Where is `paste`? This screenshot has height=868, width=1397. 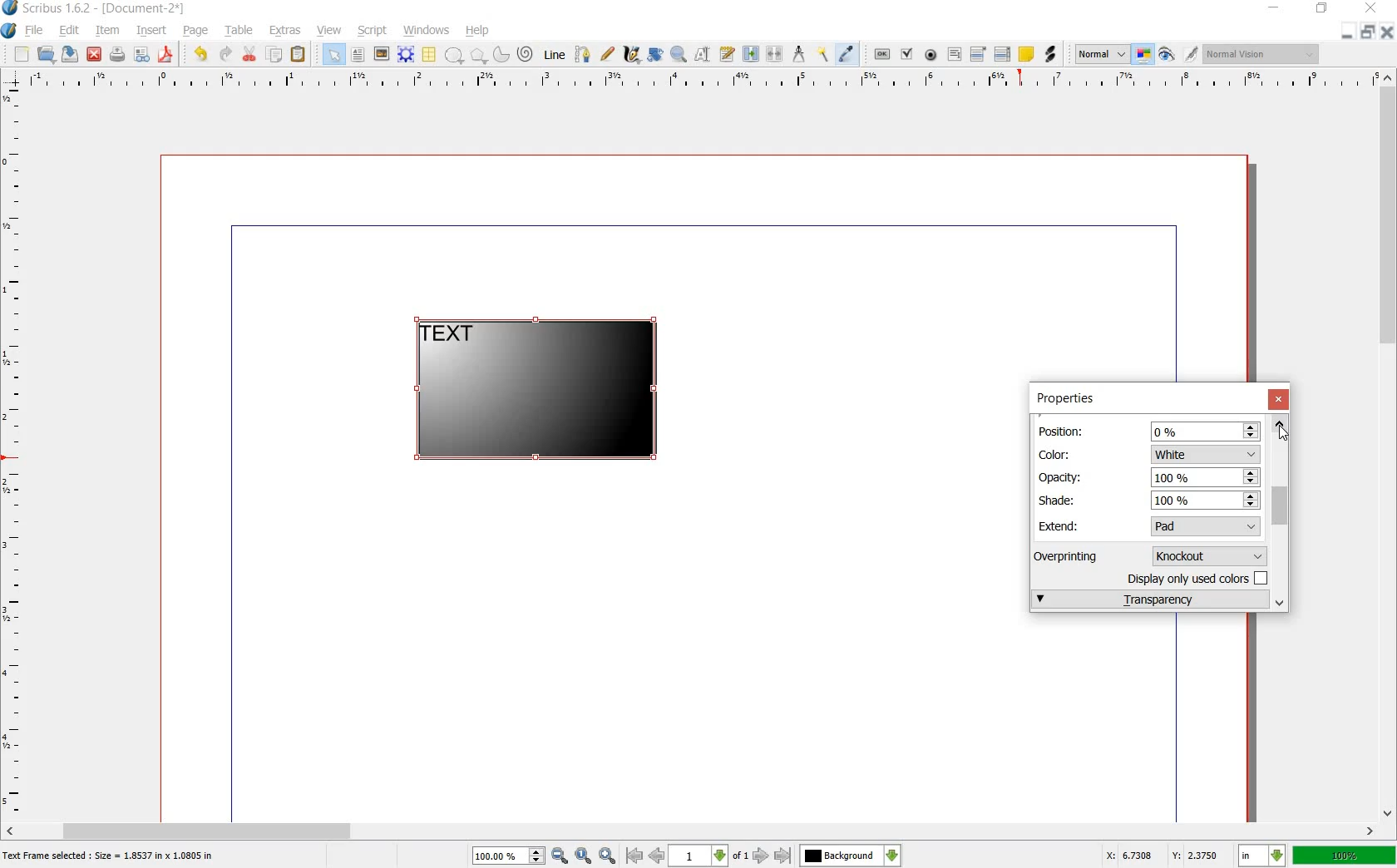
paste is located at coordinates (299, 55).